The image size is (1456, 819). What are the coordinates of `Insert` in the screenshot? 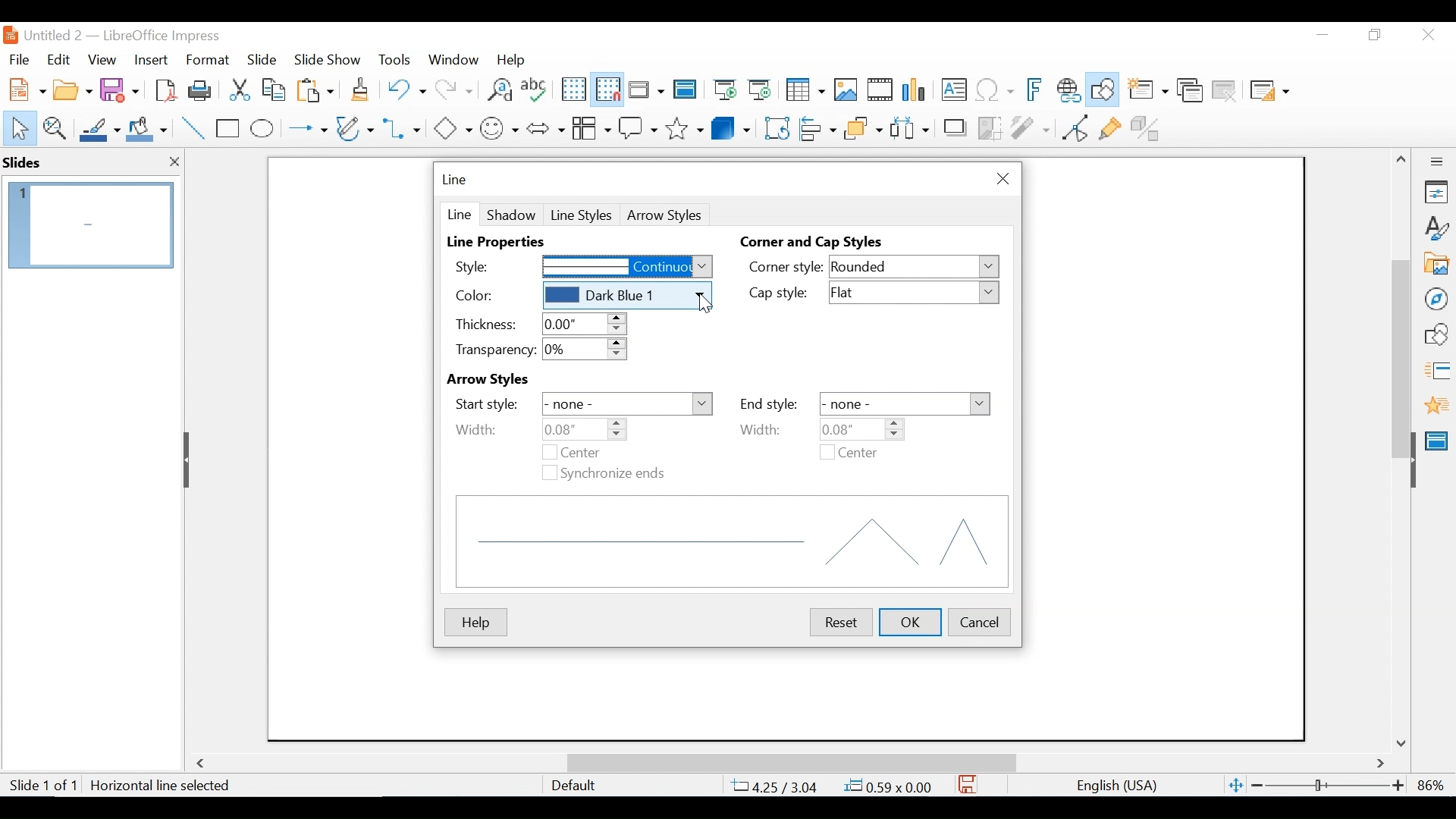 It's located at (149, 60).